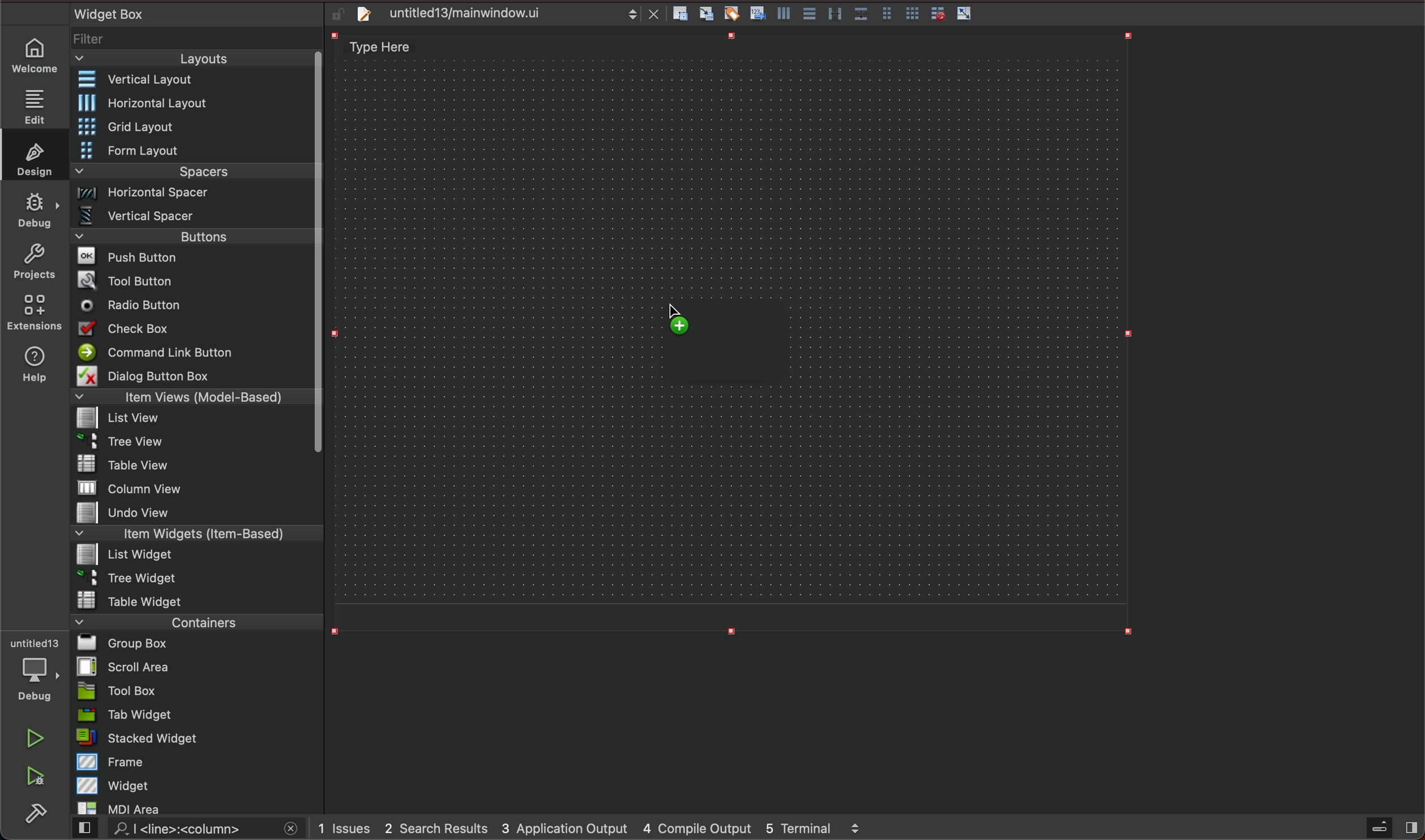 This screenshot has height=840, width=1425. I want to click on file tab, so click(503, 16).